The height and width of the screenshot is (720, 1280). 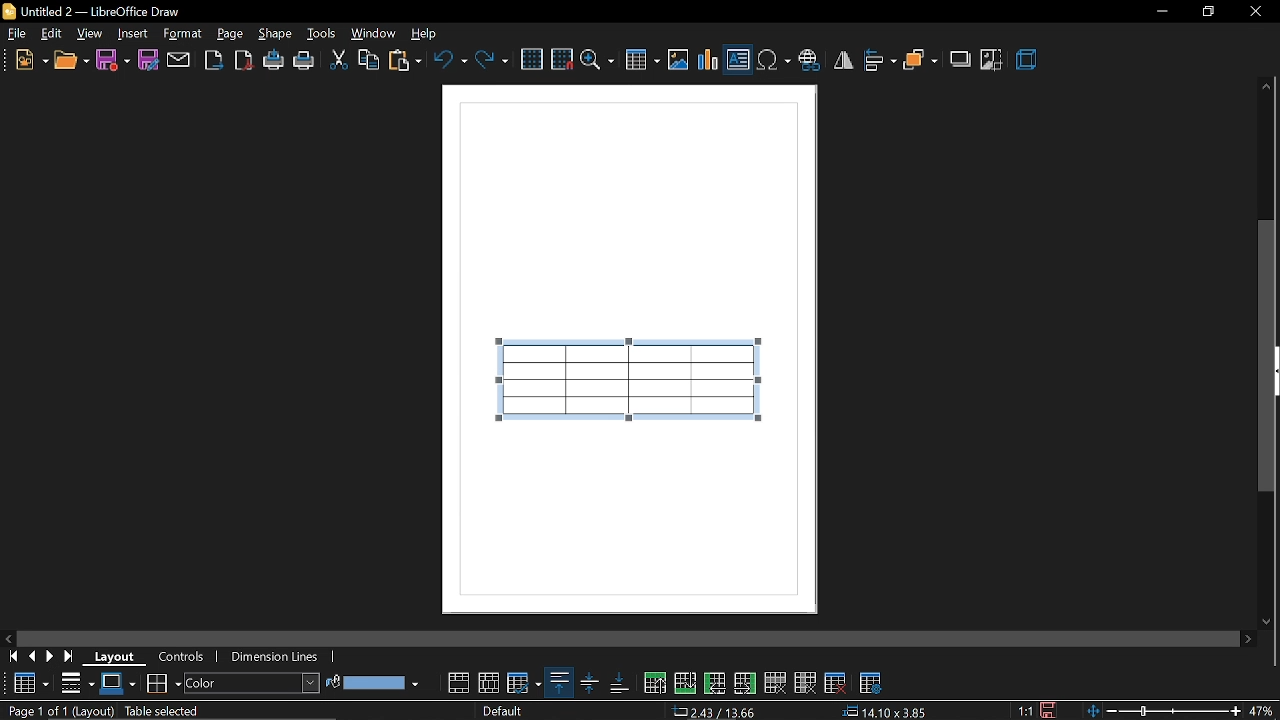 What do you see at coordinates (118, 683) in the screenshot?
I see `border color` at bounding box center [118, 683].